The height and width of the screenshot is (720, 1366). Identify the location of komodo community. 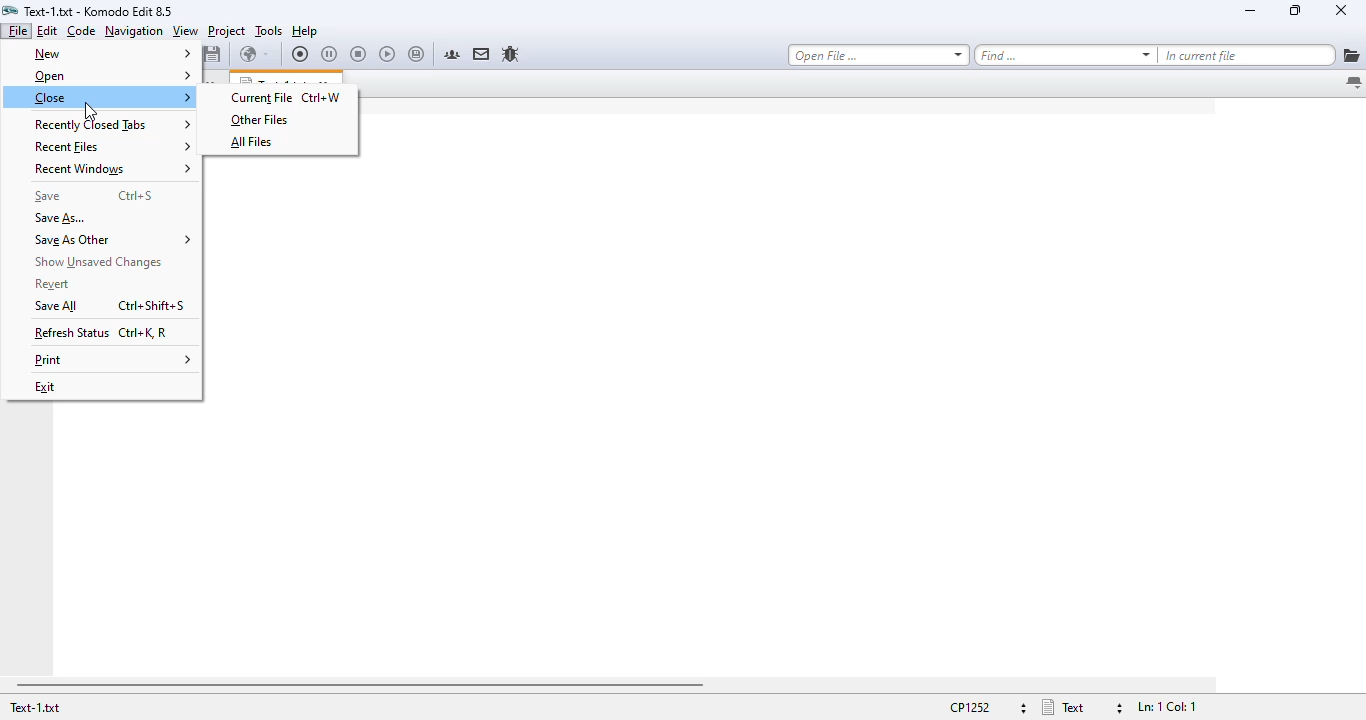
(452, 54).